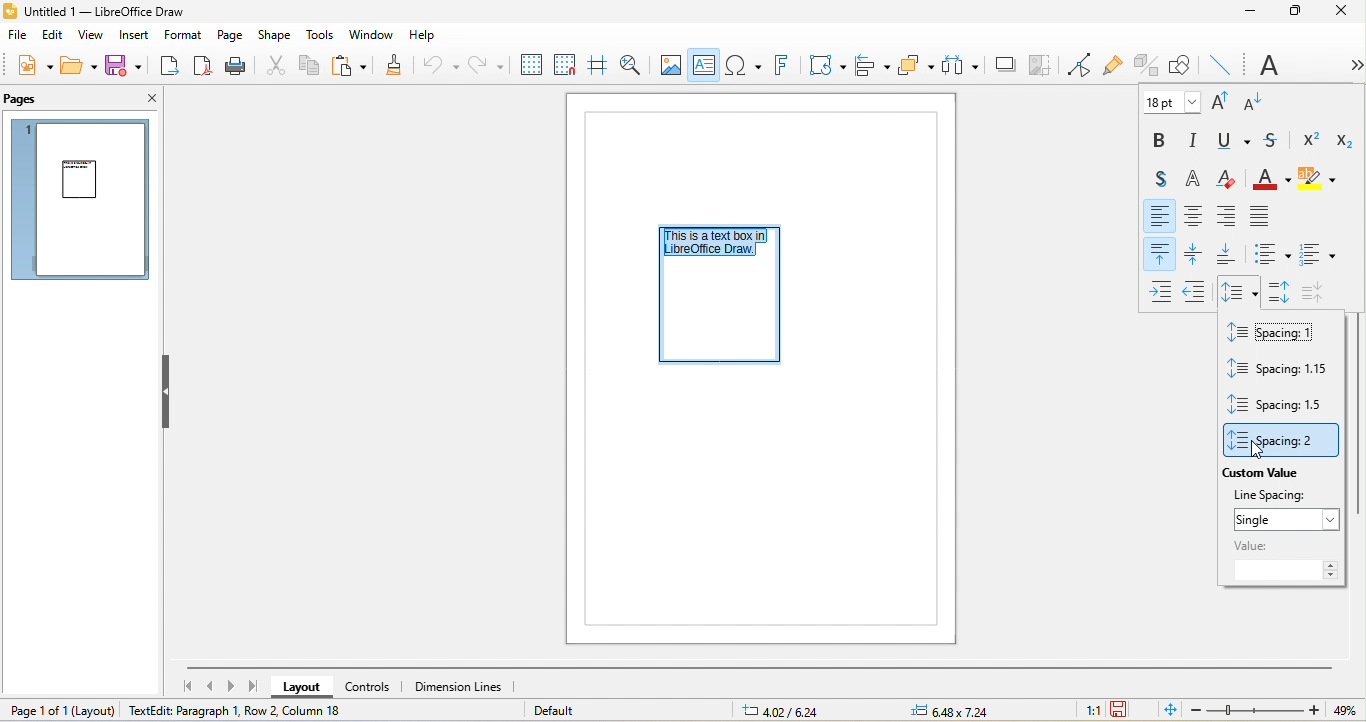 This screenshot has height=722, width=1366. Describe the element at coordinates (1288, 518) in the screenshot. I see `single` at that location.